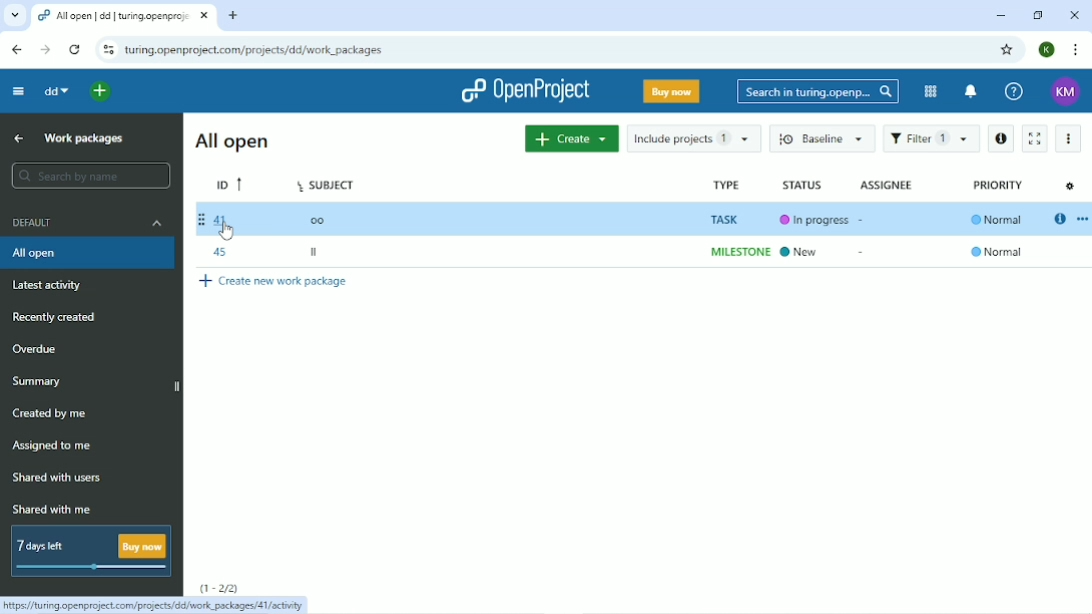 The height and width of the screenshot is (614, 1092). Describe the element at coordinates (107, 47) in the screenshot. I see `View site information` at that location.